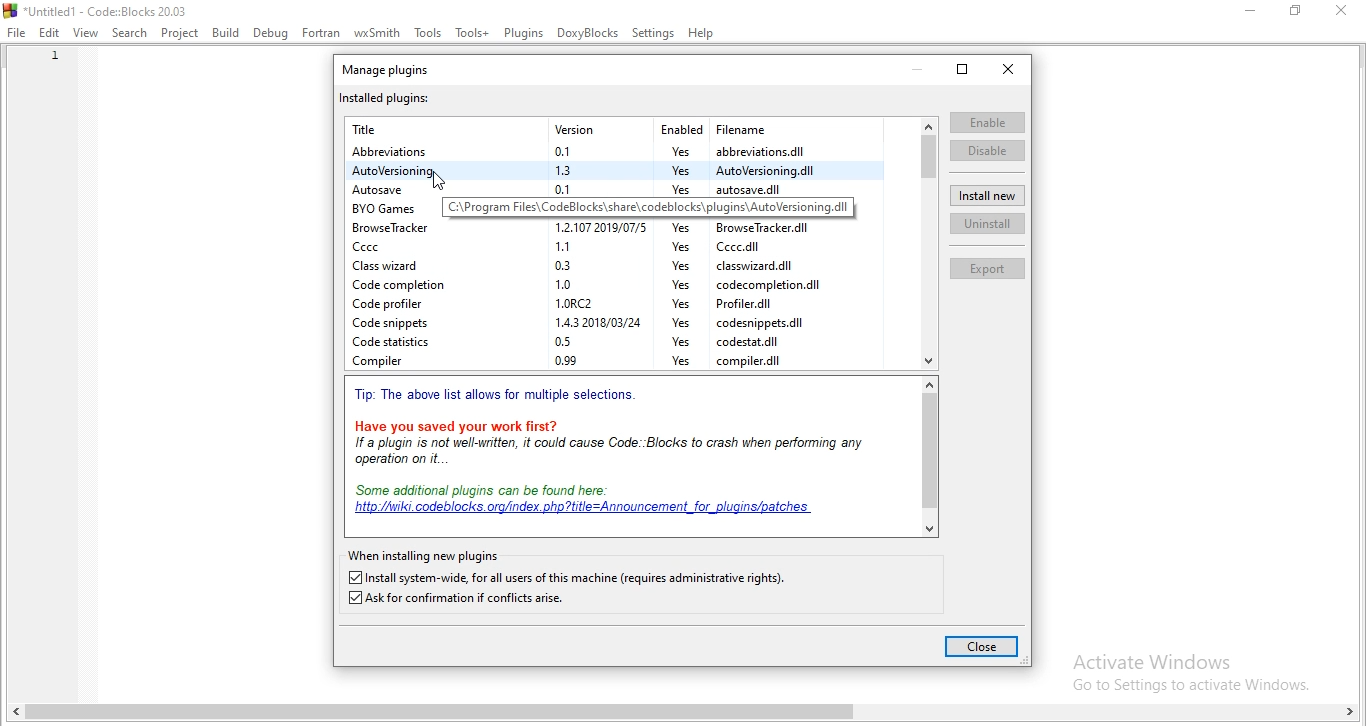  What do you see at coordinates (613, 443) in the screenshot?
I see `Have you saved your work first?
Ifa plugin is not well-written, it could cause Code: Blocks to crash when performing any
operation on it.` at bounding box center [613, 443].